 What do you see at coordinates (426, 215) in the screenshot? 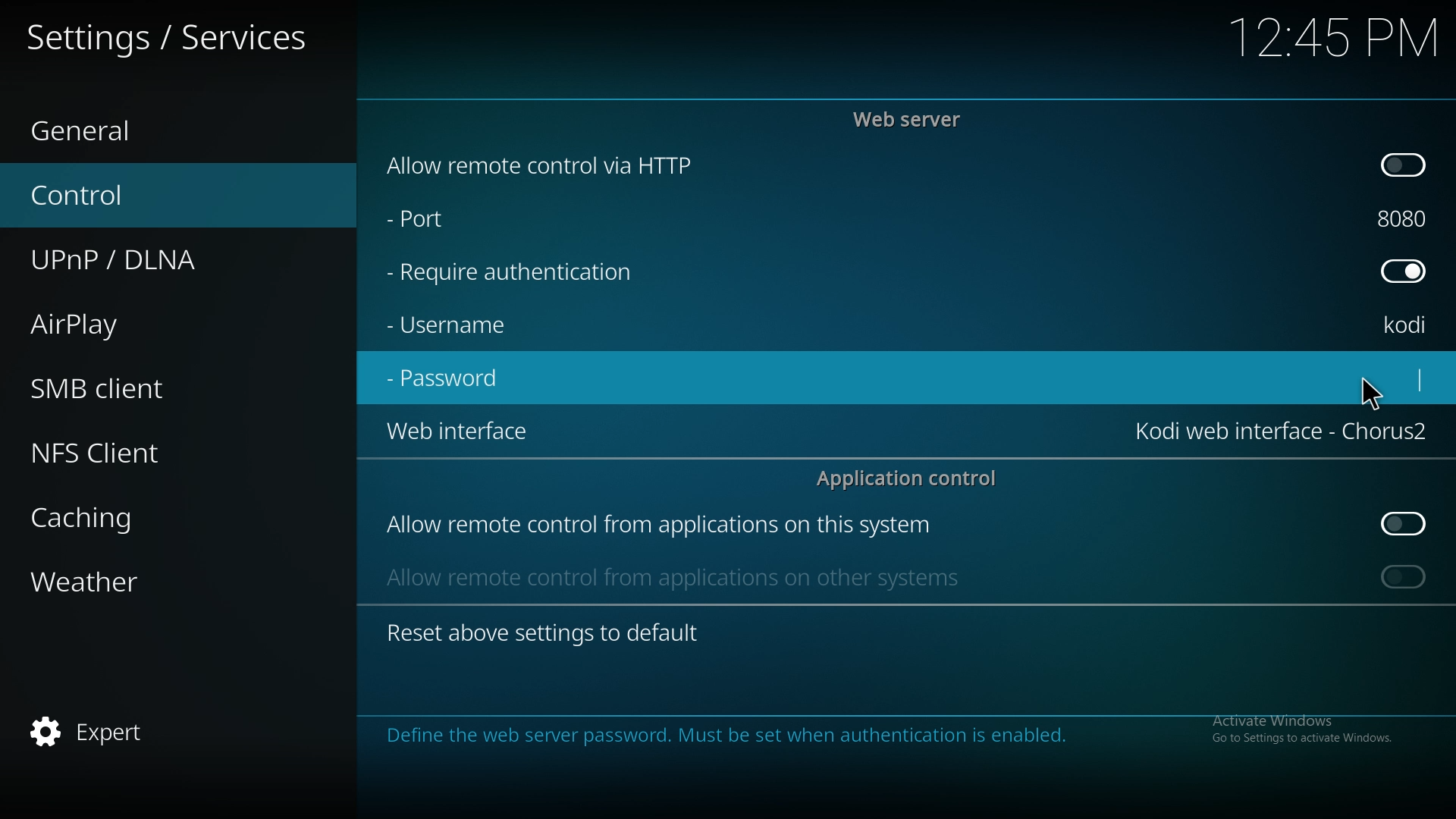
I see `port` at bounding box center [426, 215].